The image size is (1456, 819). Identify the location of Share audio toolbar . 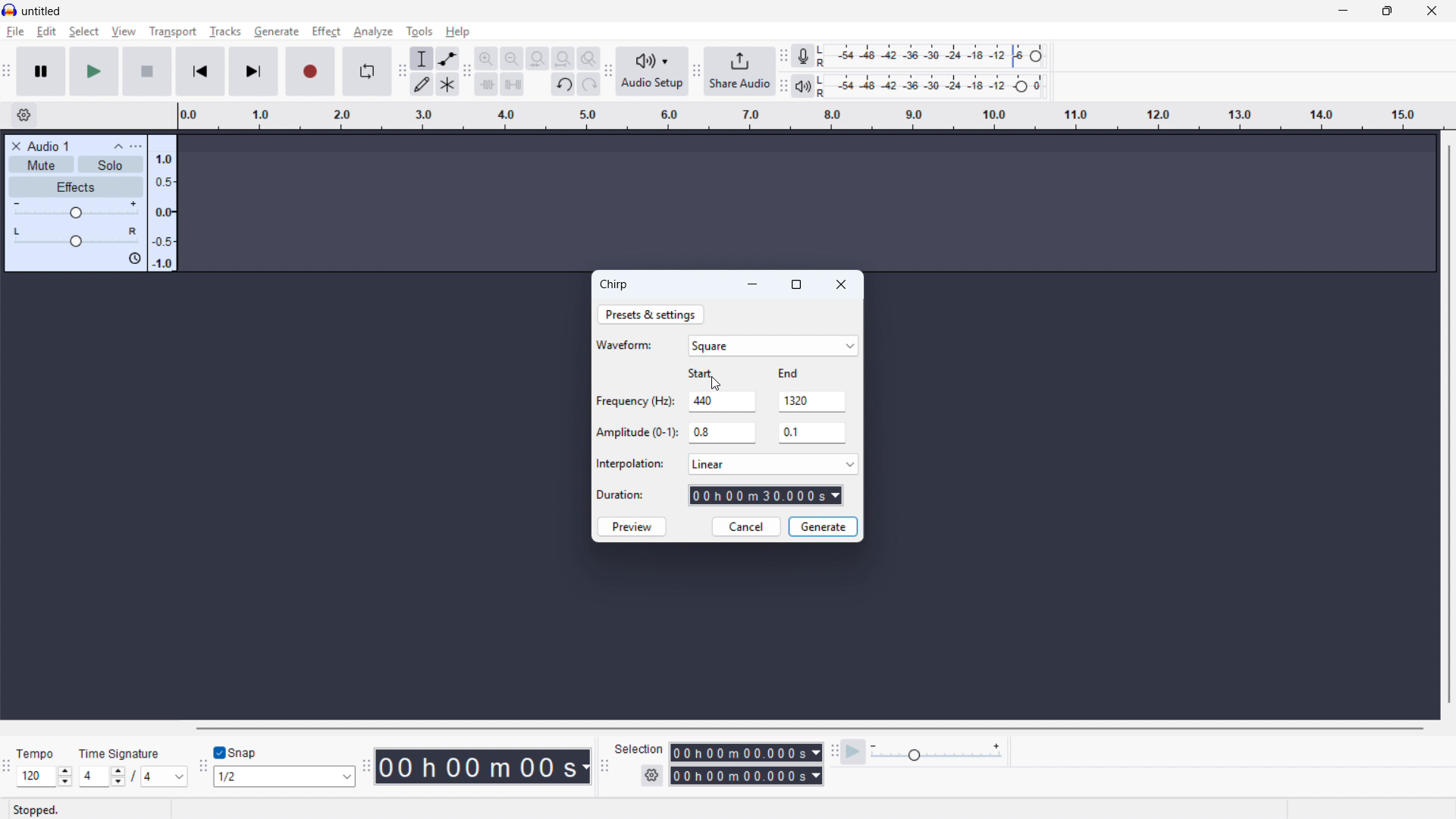
(697, 71).